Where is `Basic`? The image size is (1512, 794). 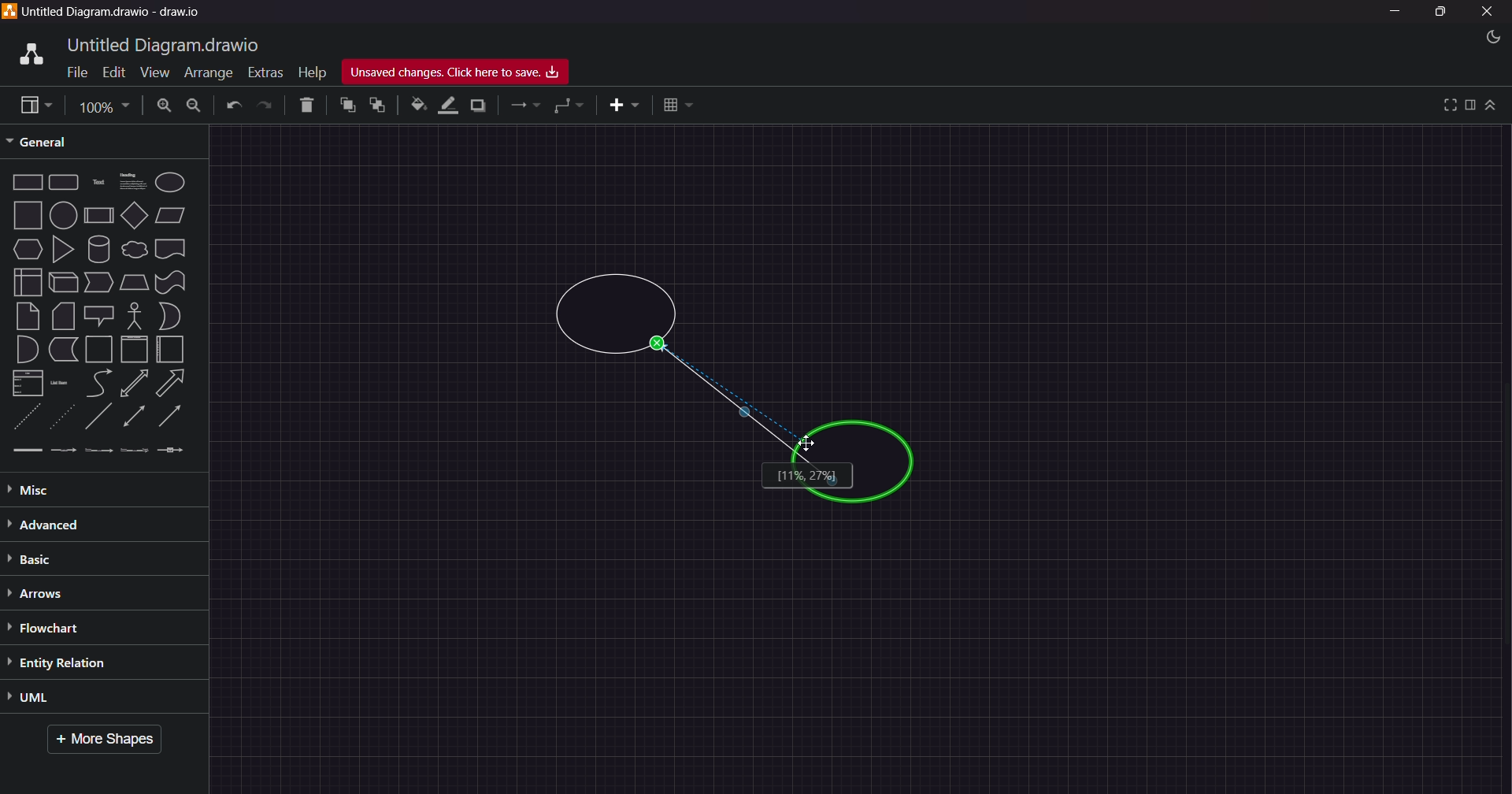 Basic is located at coordinates (43, 559).